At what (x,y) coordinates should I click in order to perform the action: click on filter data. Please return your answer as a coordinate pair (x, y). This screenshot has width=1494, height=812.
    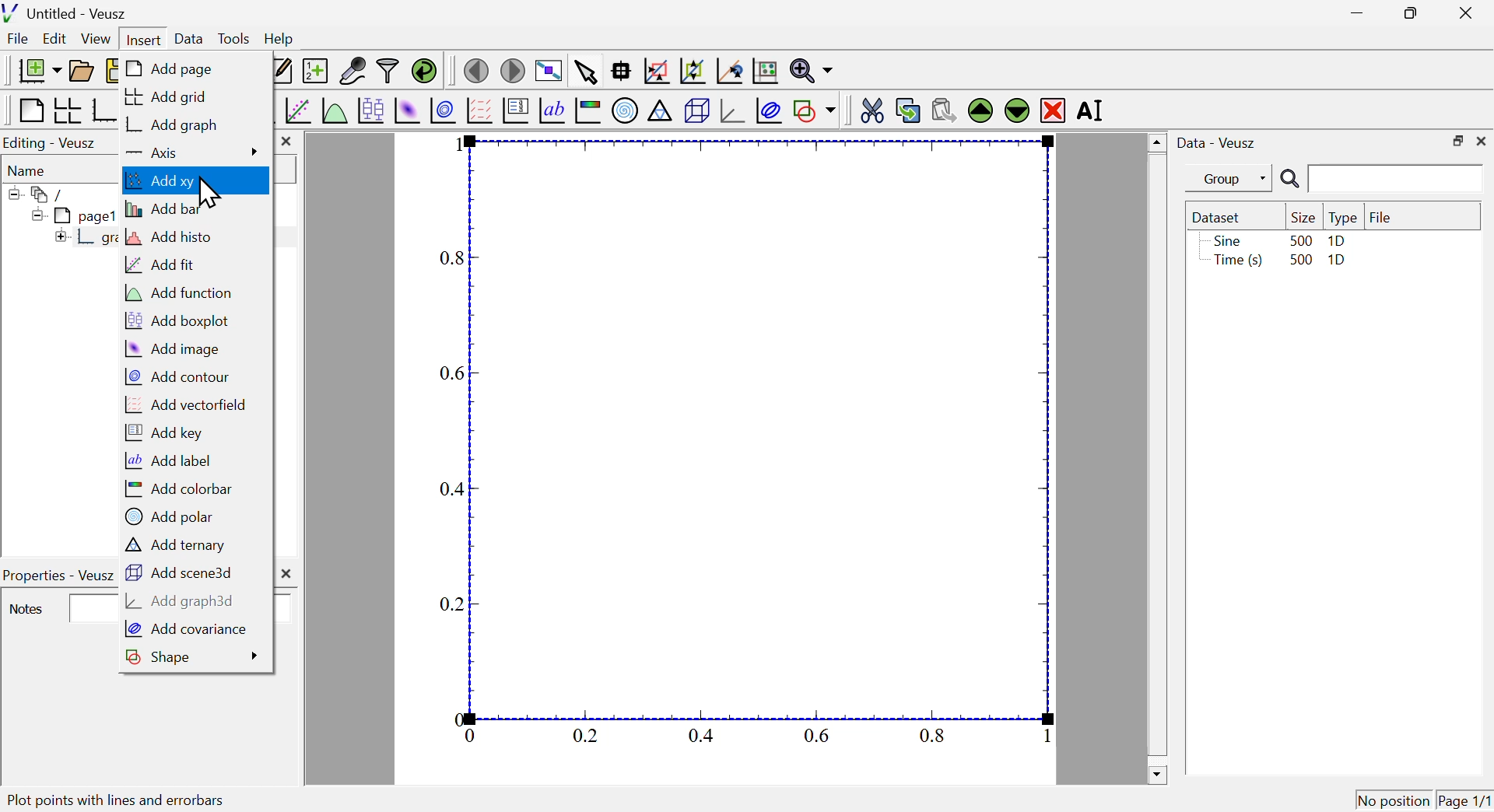
    Looking at the image, I should click on (388, 72).